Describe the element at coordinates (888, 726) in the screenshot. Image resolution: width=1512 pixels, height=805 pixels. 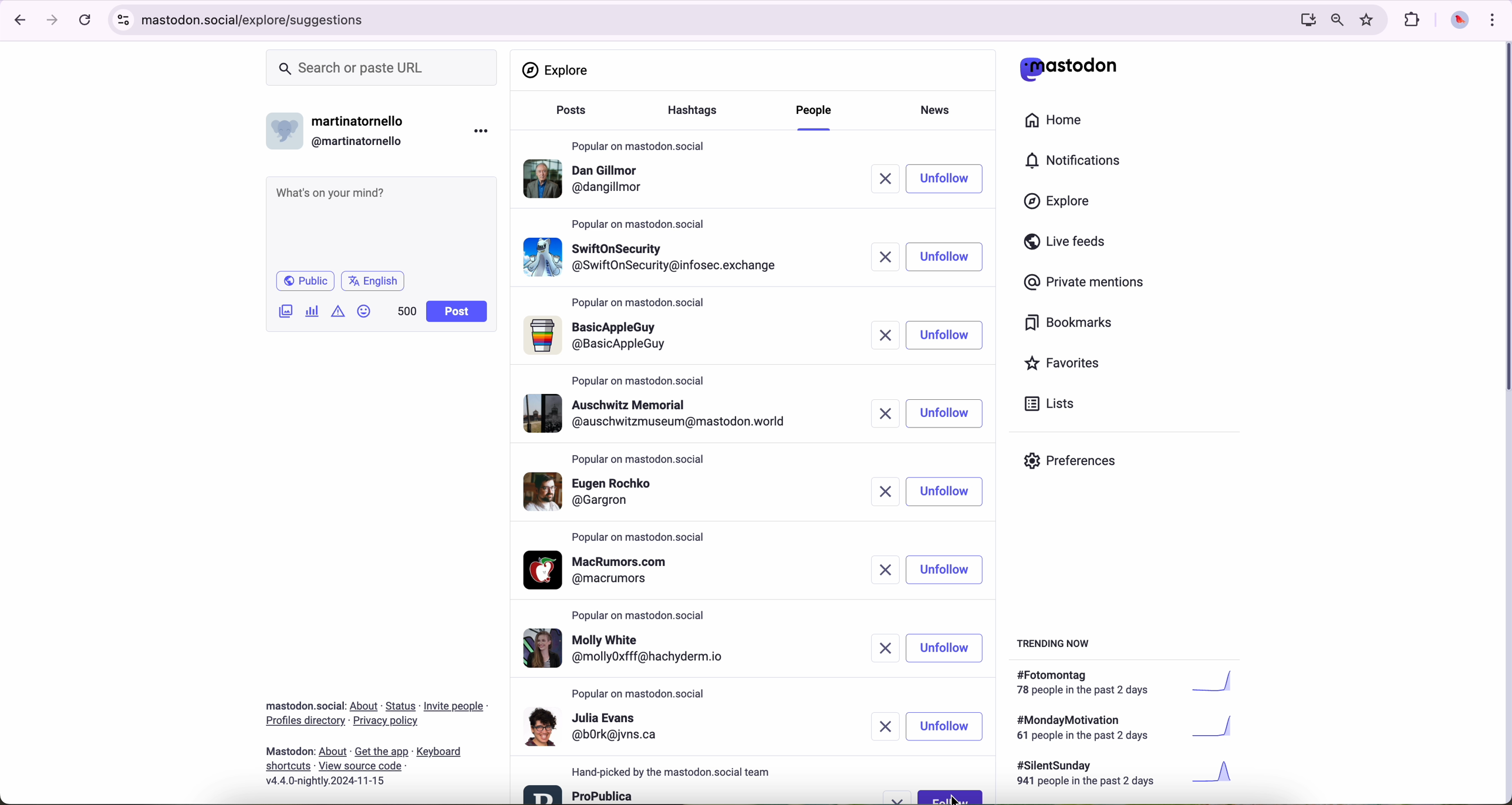
I see `remove` at that location.